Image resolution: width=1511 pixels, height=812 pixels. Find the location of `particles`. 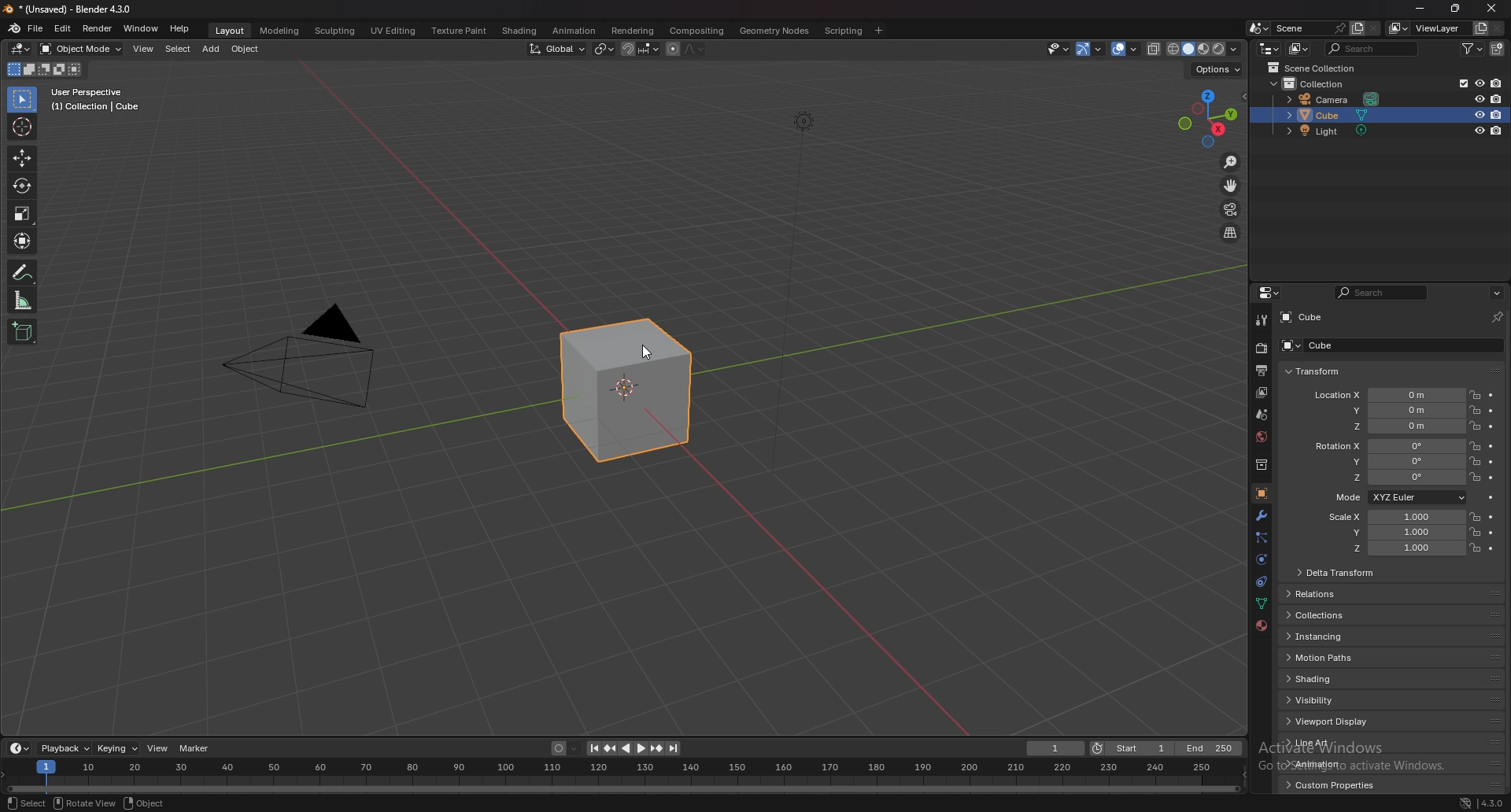

particles is located at coordinates (1260, 539).